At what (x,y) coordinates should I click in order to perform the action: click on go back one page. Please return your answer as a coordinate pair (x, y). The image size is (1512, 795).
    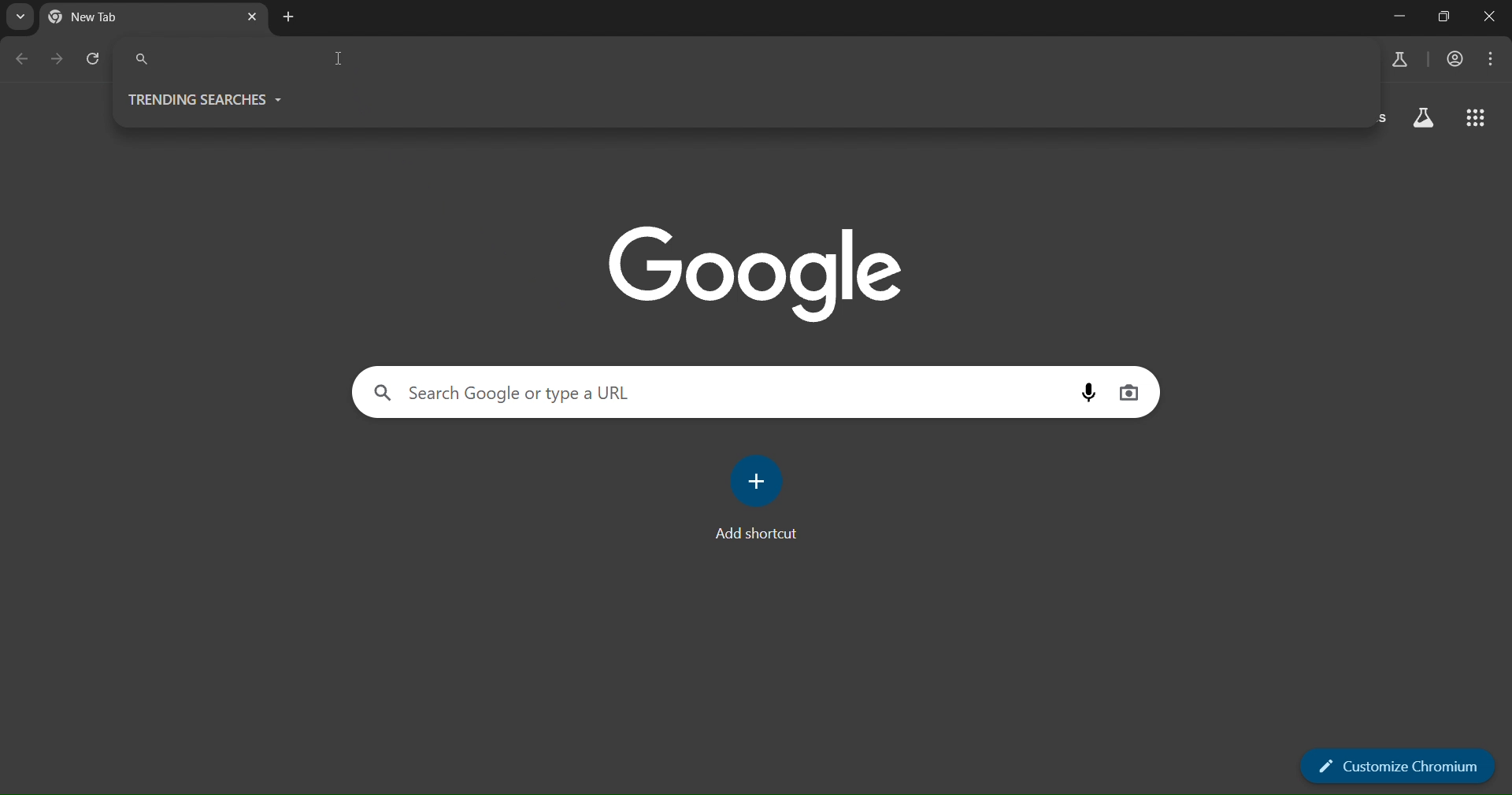
    Looking at the image, I should click on (24, 60).